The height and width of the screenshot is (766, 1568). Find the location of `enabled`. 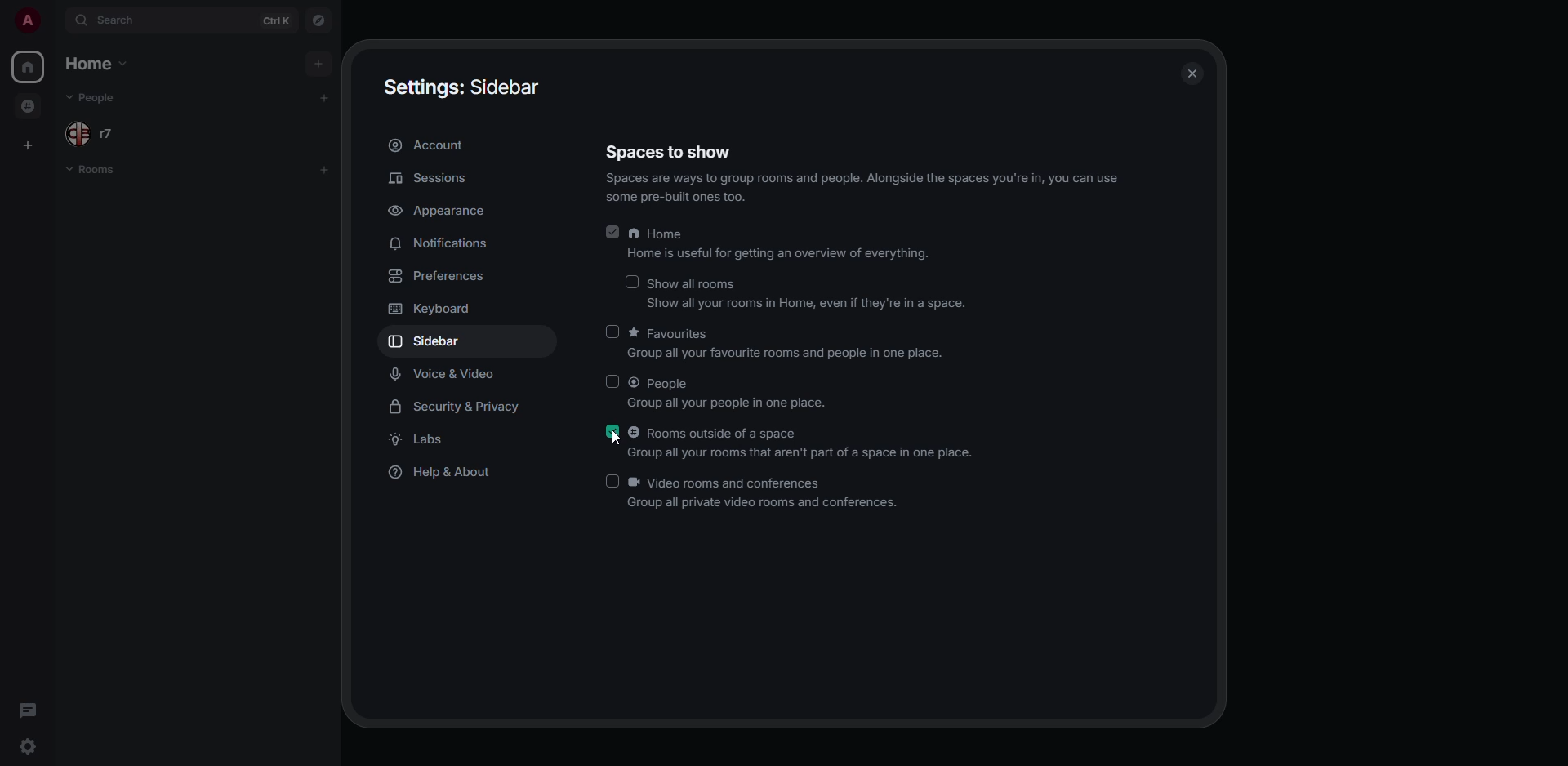

enabled is located at coordinates (612, 229).